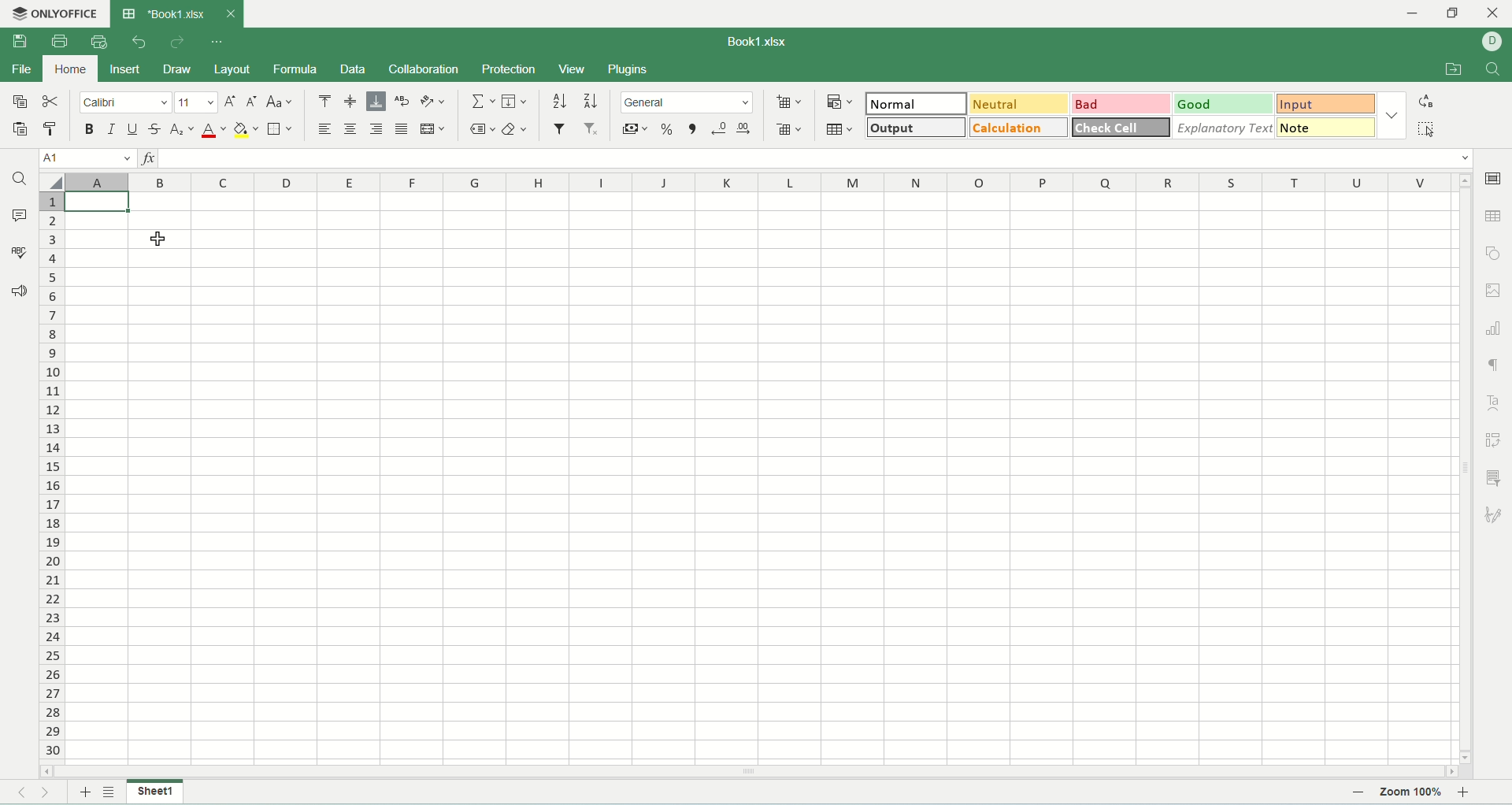 The height and width of the screenshot is (805, 1512). What do you see at coordinates (18, 180) in the screenshot?
I see `find` at bounding box center [18, 180].